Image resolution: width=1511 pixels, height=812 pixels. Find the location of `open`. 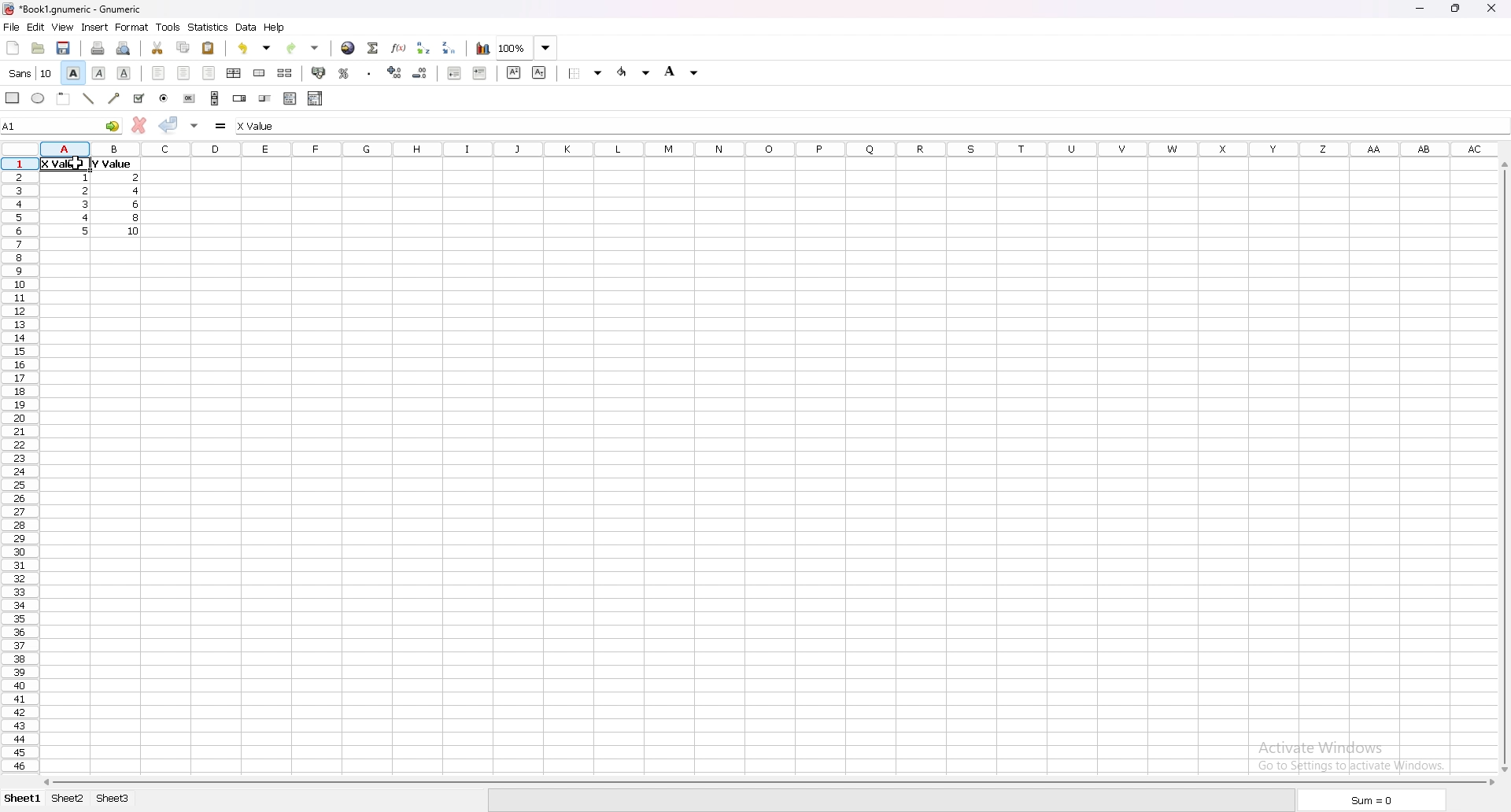

open is located at coordinates (38, 48).